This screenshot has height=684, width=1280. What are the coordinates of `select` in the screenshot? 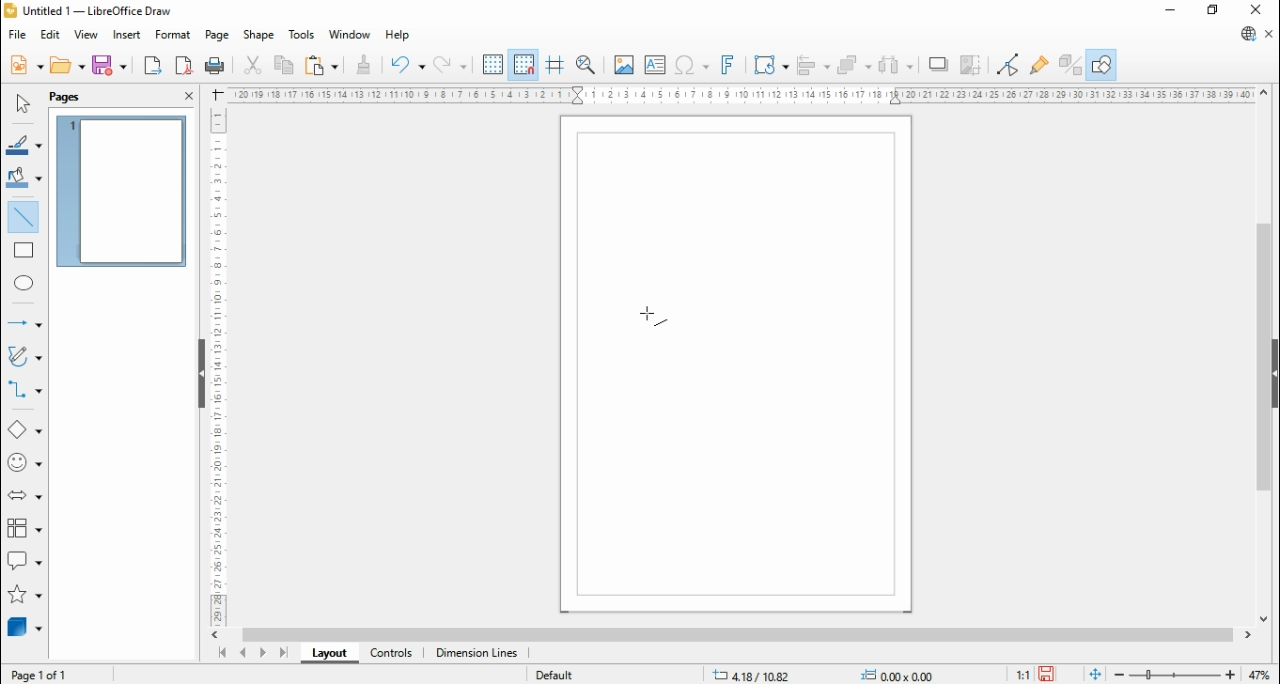 It's located at (21, 104).